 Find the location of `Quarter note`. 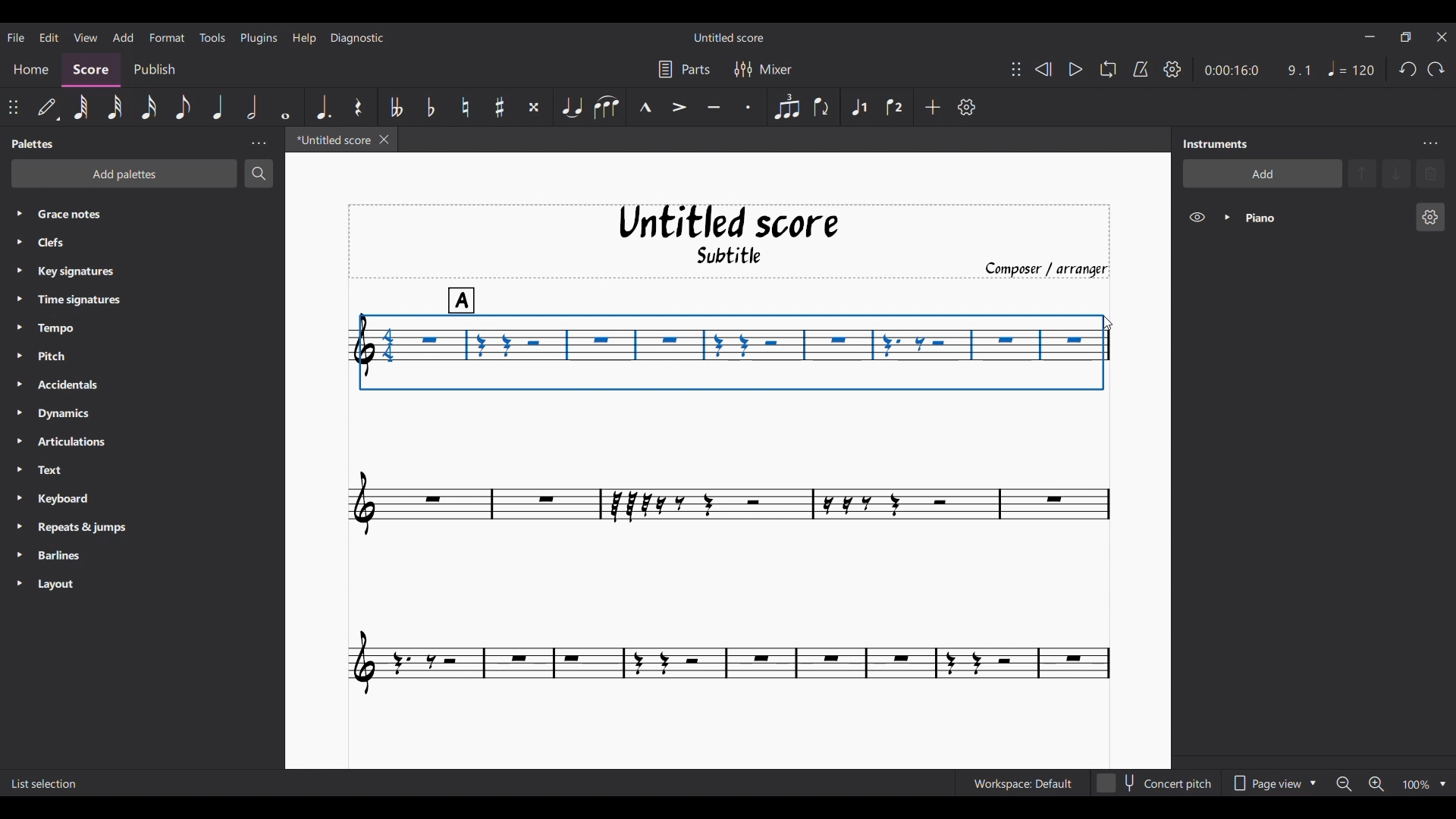

Quarter note is located at coordinates (1351, 68).